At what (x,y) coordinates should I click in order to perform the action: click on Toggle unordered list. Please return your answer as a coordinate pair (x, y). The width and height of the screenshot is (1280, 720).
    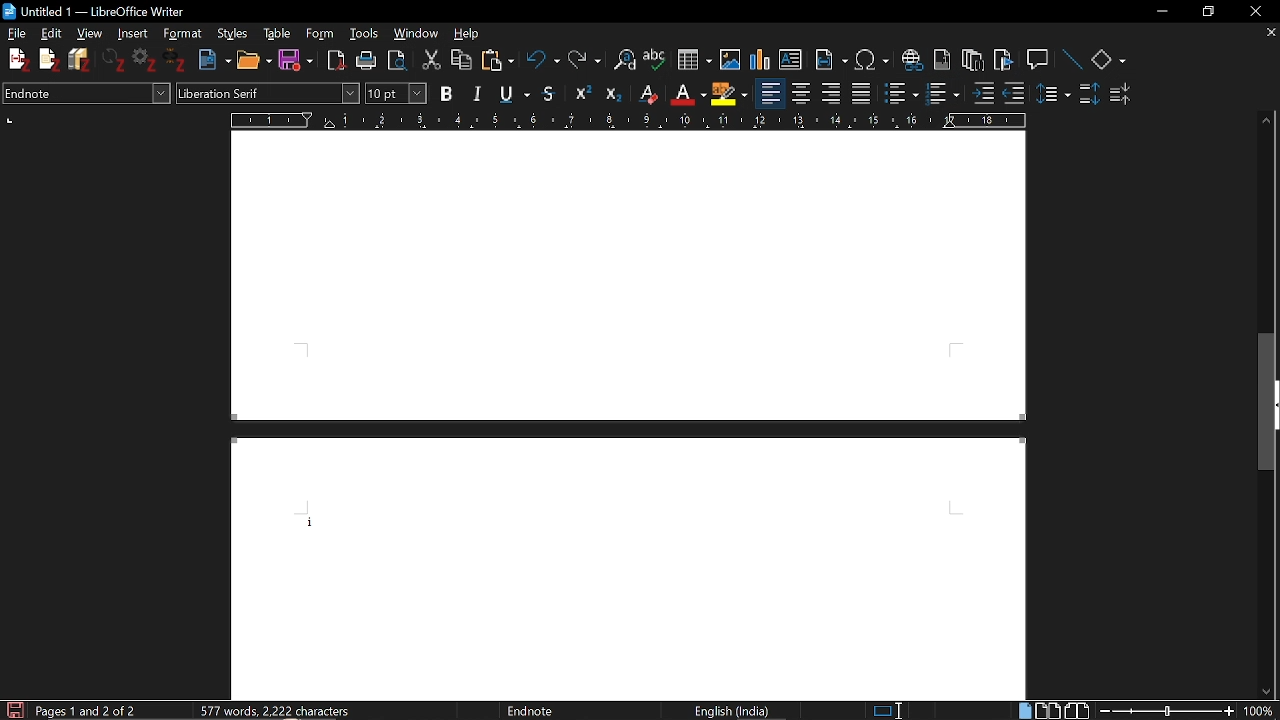
    Looking at the image, I should click on (942, 93).